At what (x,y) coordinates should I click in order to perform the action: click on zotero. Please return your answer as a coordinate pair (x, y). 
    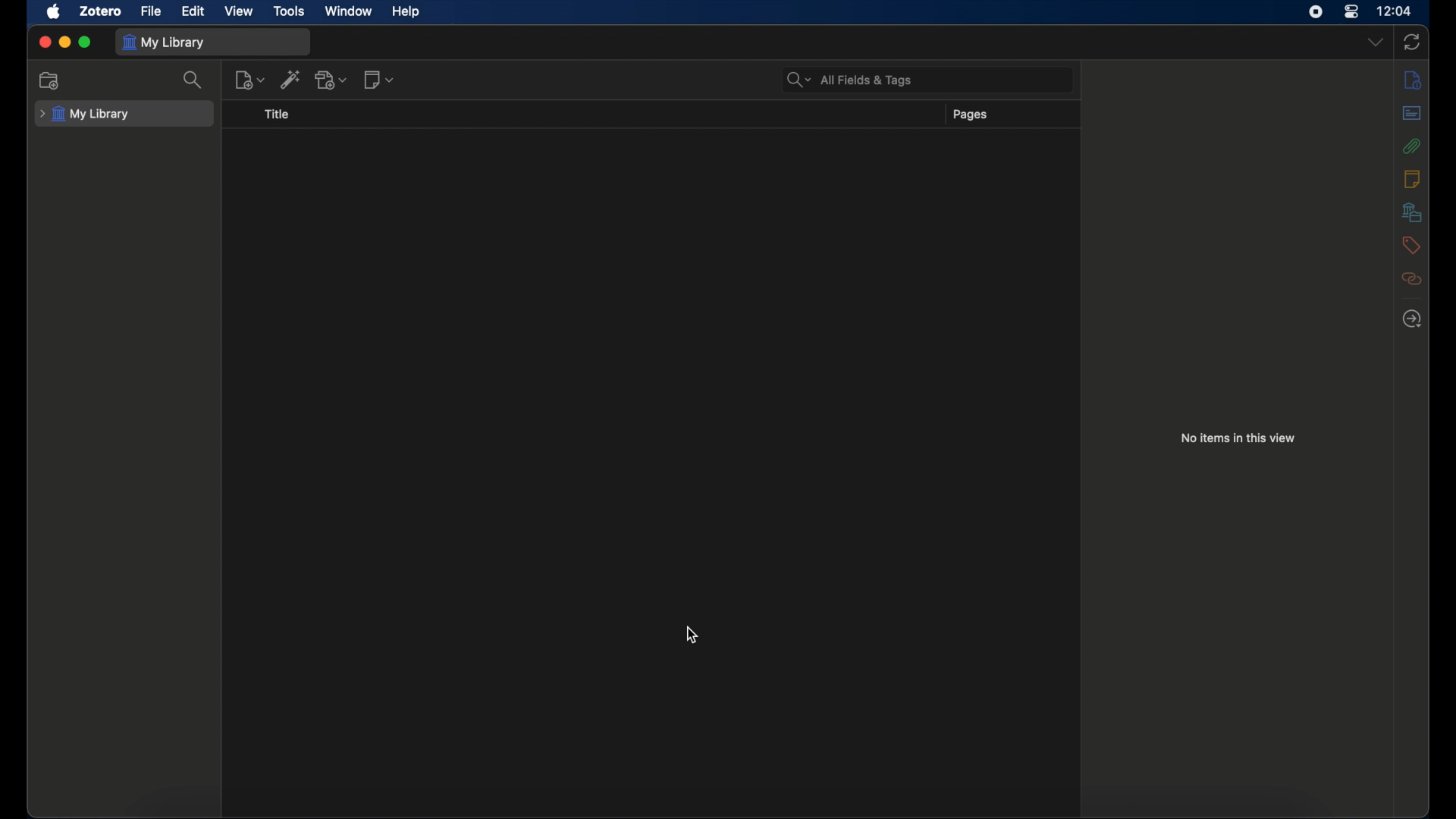
    Looking at the image, I should click on (102, 11).